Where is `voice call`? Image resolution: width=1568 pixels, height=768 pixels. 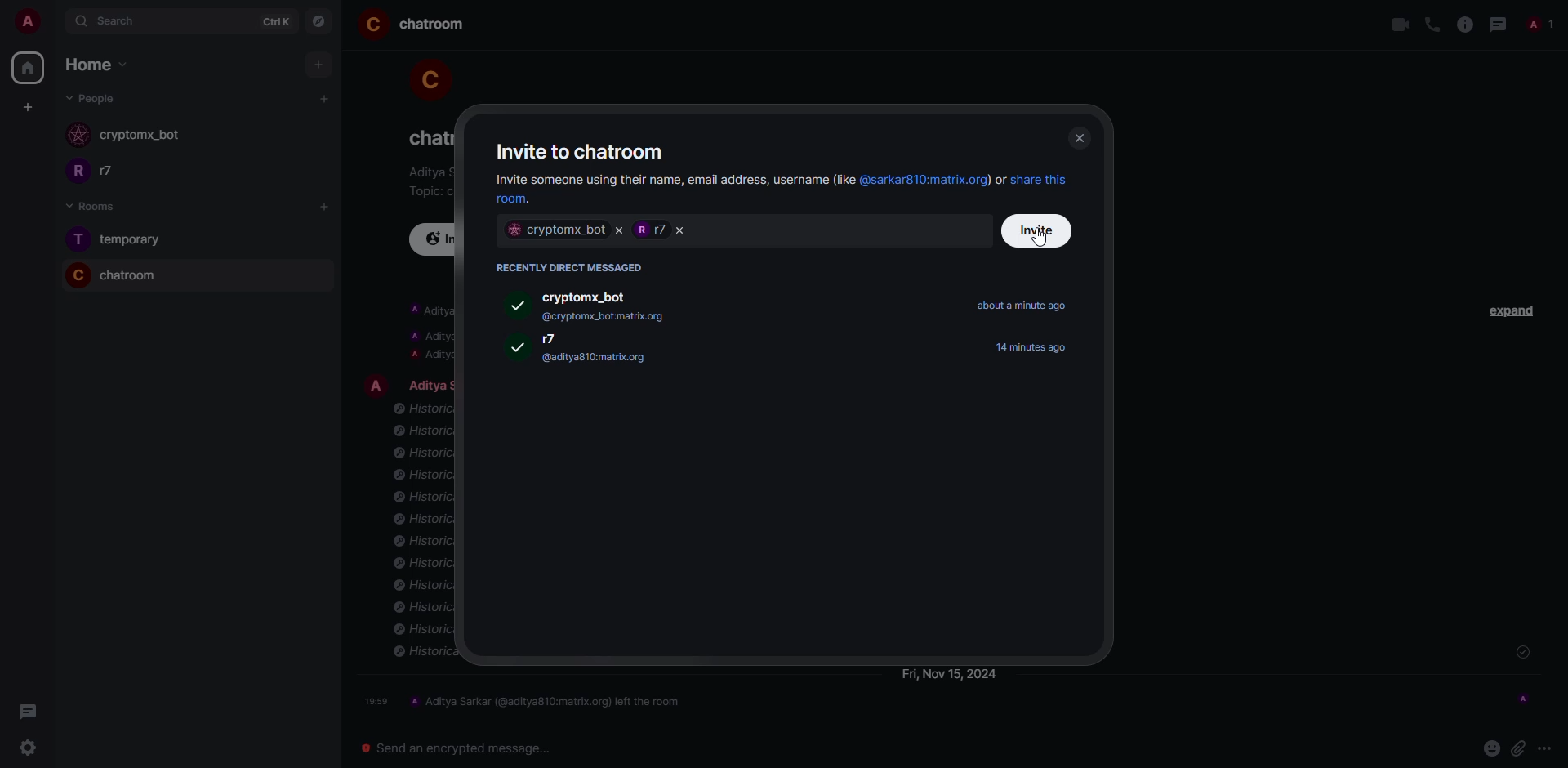 voice call is located at coordinates (1432, 25).